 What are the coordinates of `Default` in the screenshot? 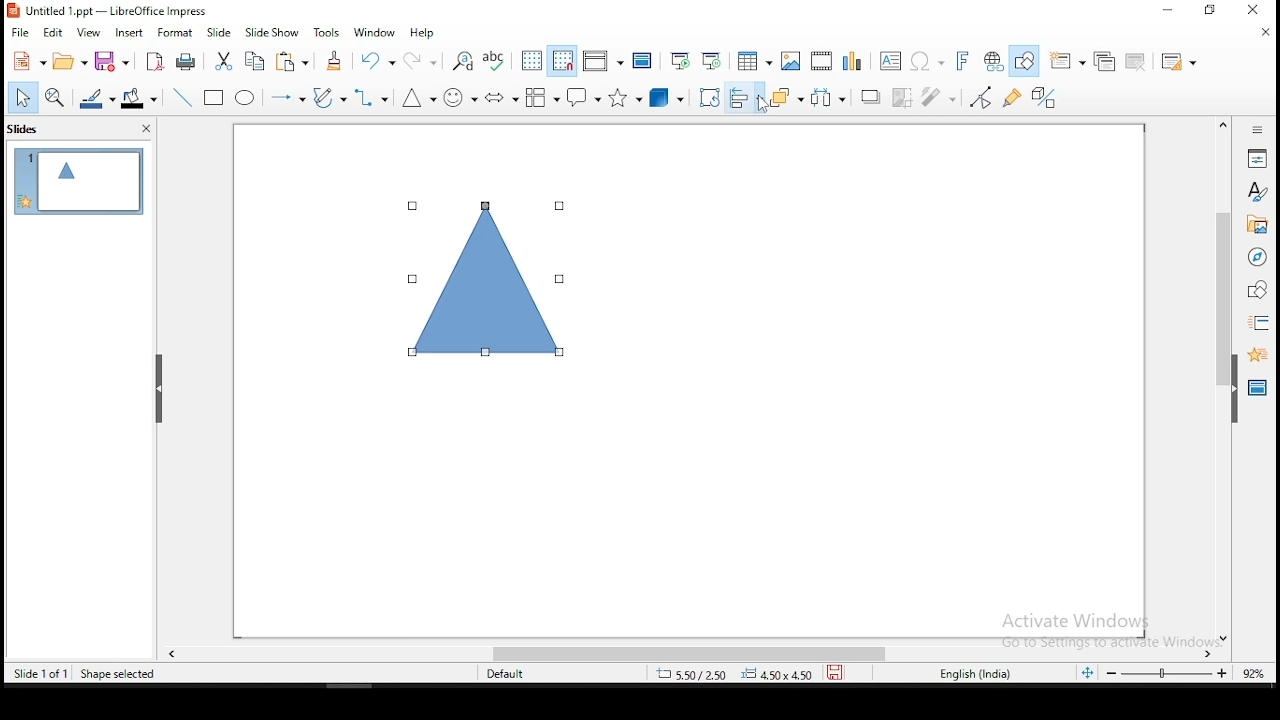 It's located at (514, 674).